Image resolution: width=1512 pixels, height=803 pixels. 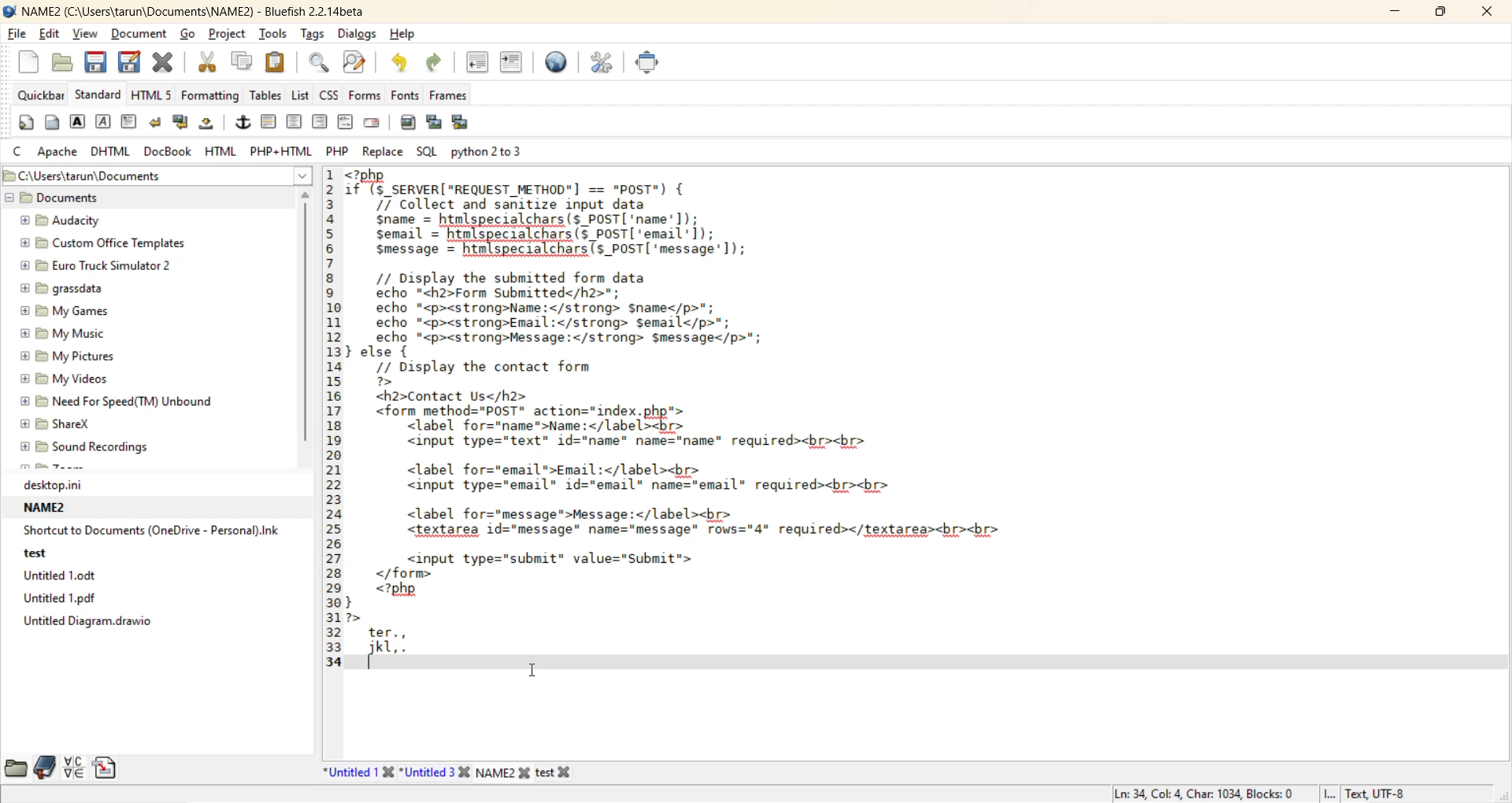 What do you see at coordinates (57, 198) in the screenshot?
I see `documents` at bounding box center [57, 198].